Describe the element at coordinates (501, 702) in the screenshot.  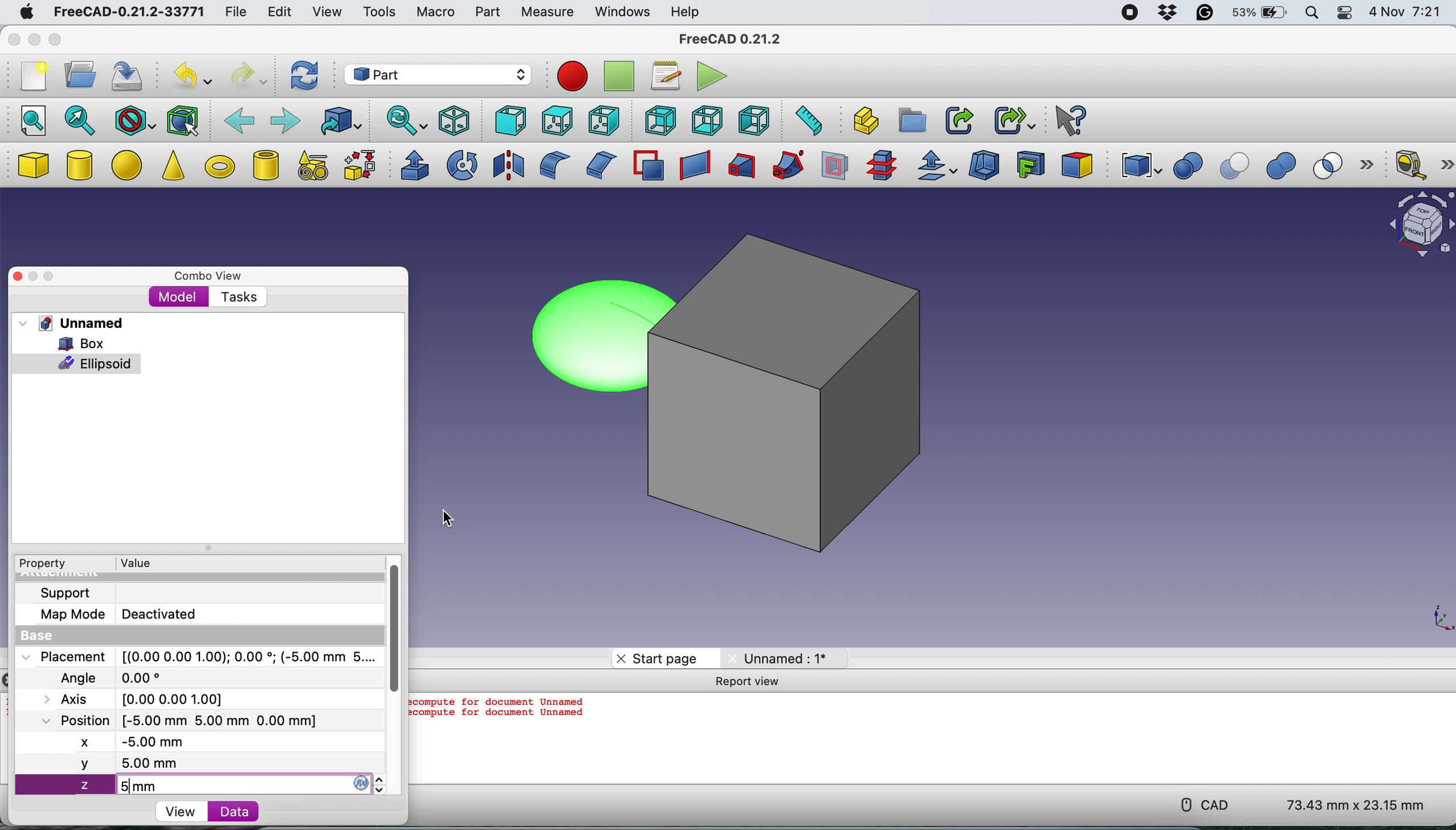
I see `ecompute for document Unnamed` at that location.